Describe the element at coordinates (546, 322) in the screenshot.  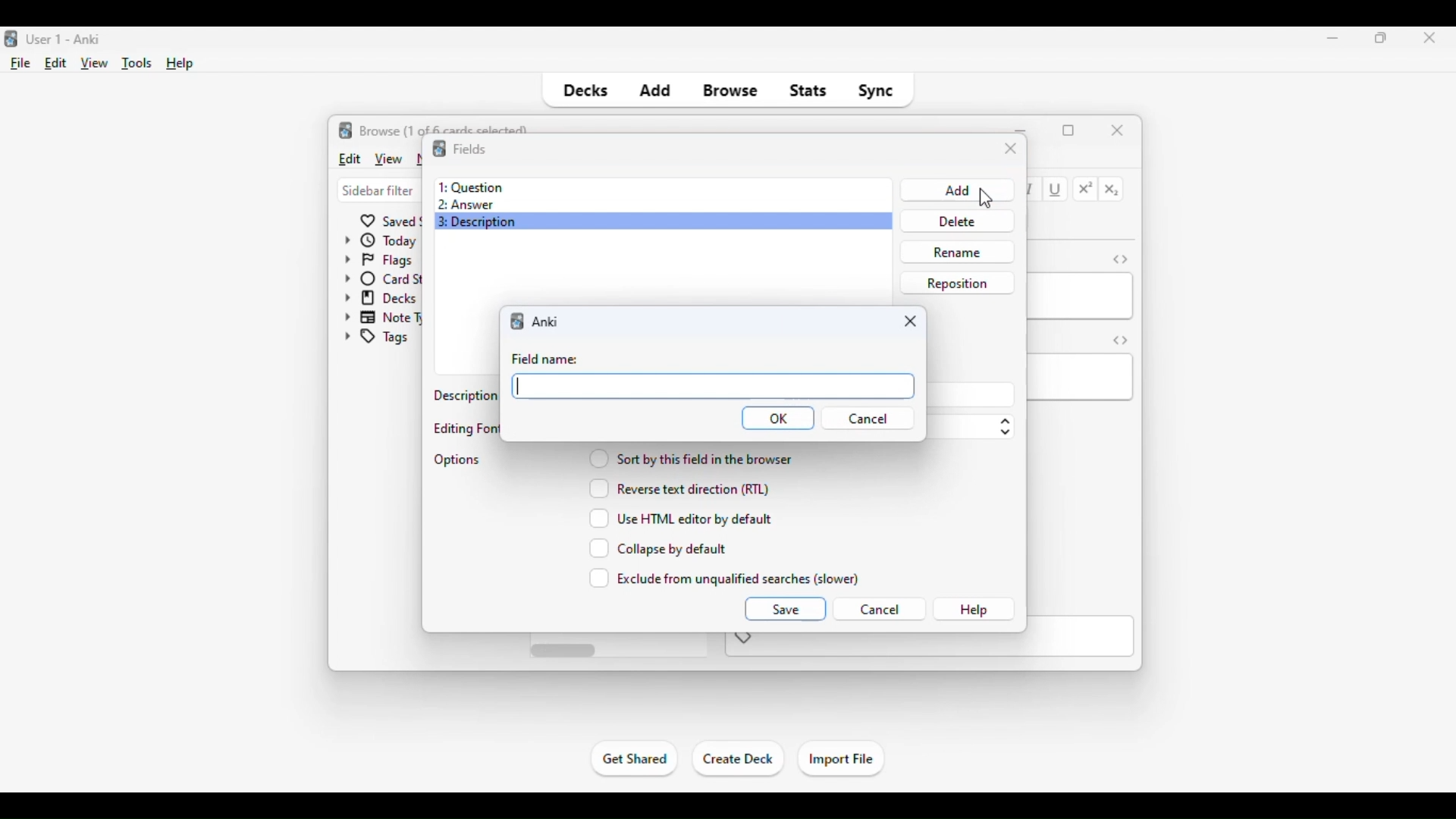
I see `anki` at that location.